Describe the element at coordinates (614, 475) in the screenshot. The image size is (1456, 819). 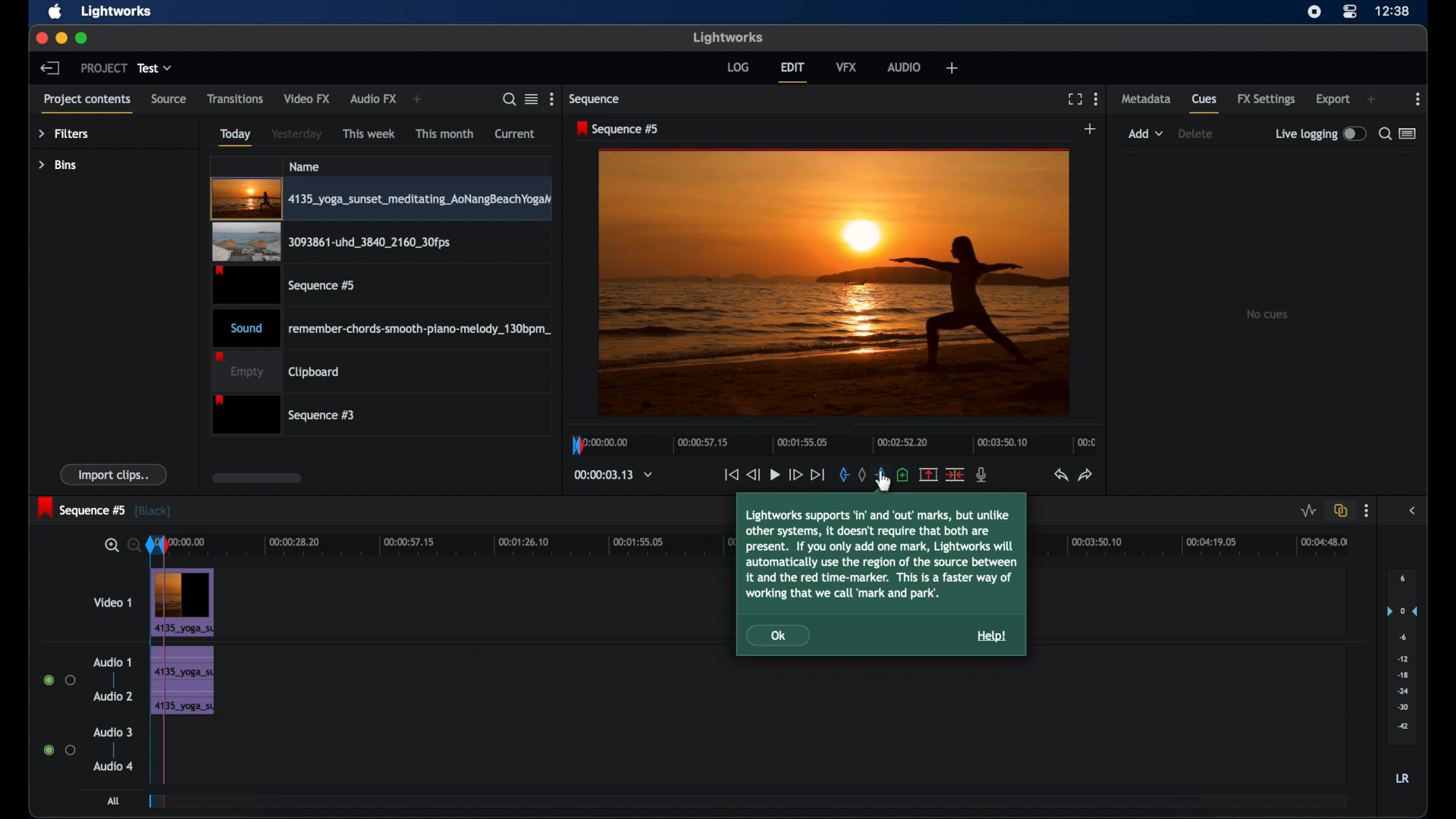
I see `timecodes  and reels` at that location.